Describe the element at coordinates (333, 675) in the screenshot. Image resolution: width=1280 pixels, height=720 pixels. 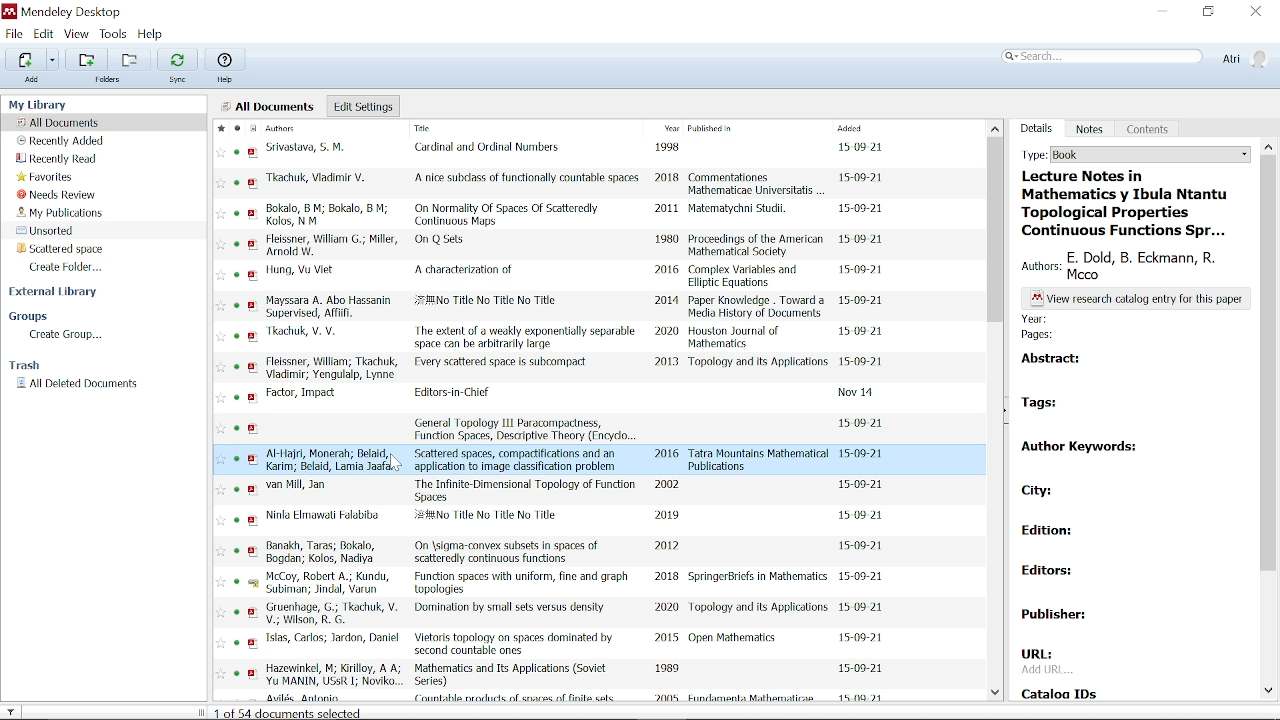
I see `authors` at that location.